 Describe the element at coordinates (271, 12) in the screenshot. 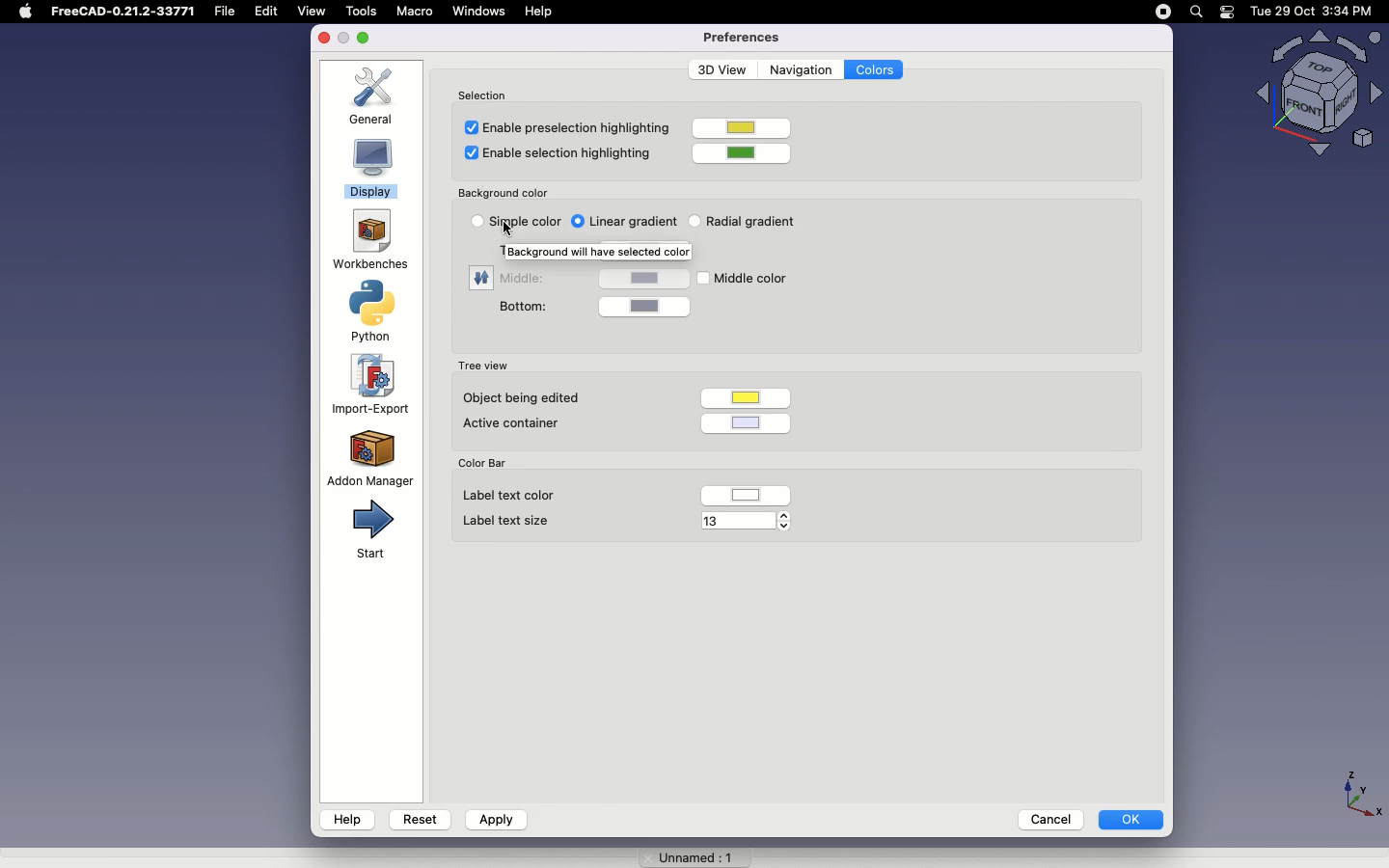

I see `Edit` at that location.